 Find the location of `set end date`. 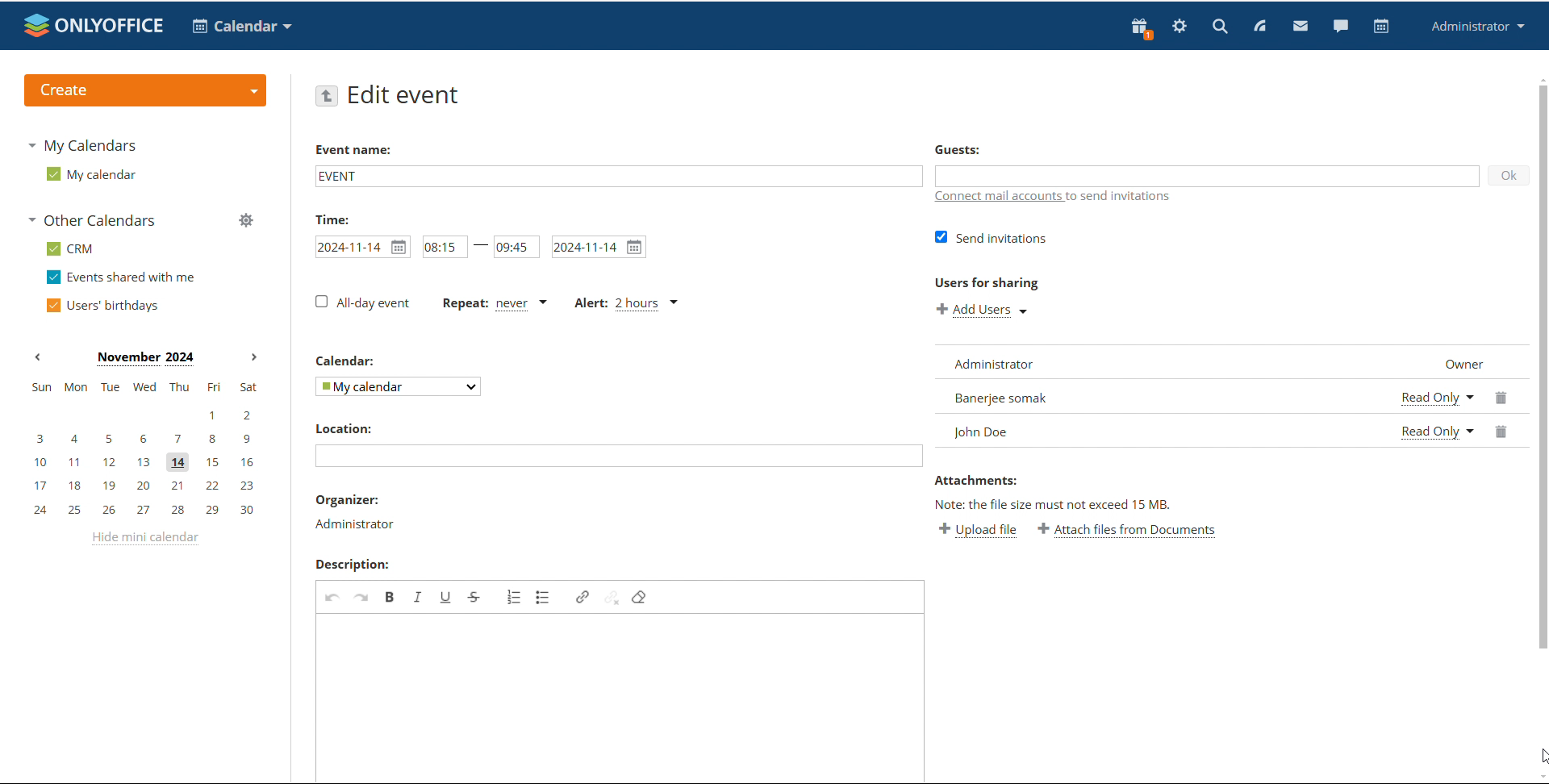

set end date is located at coordinates (599, 247).